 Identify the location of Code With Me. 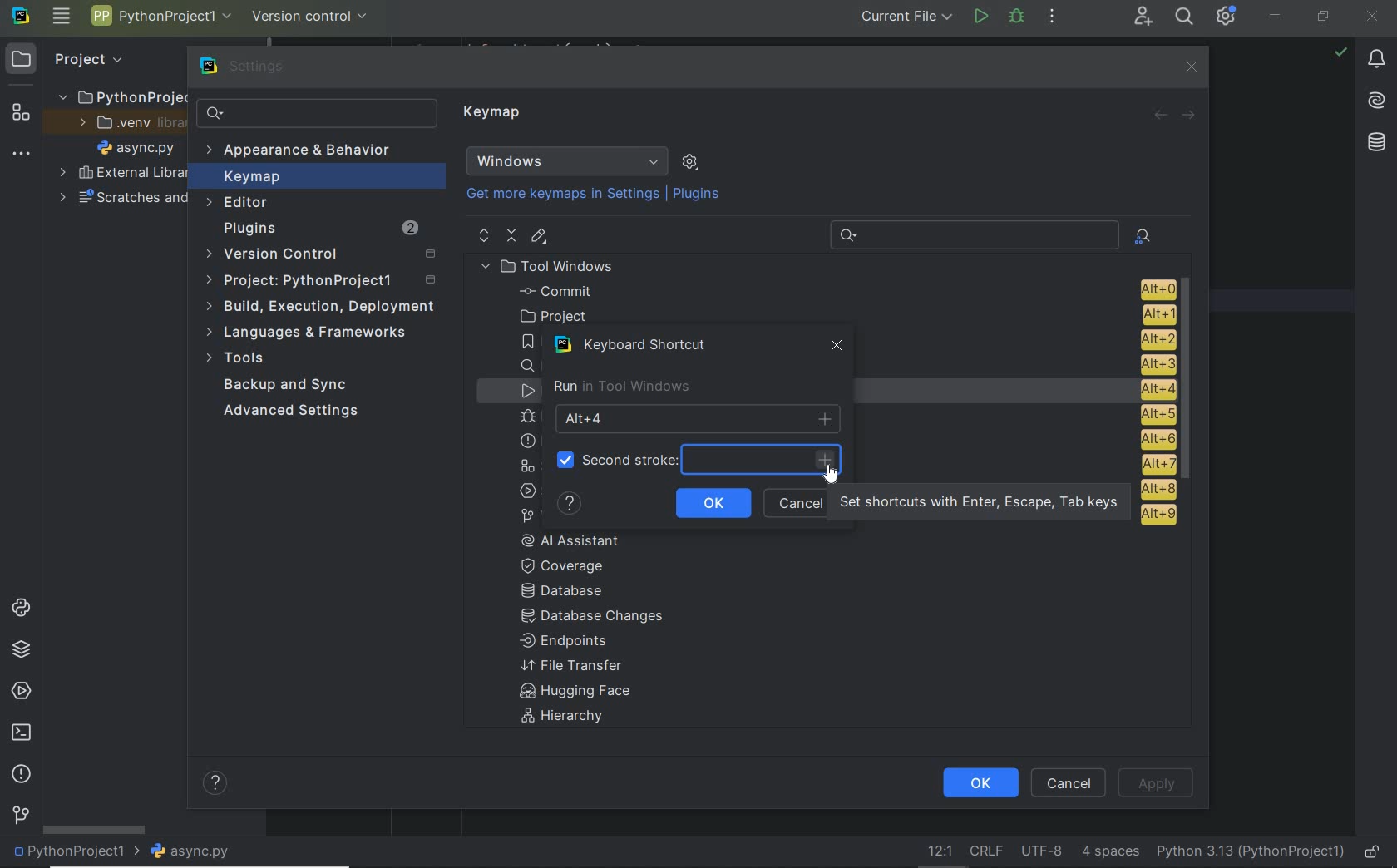
(1143, 17).